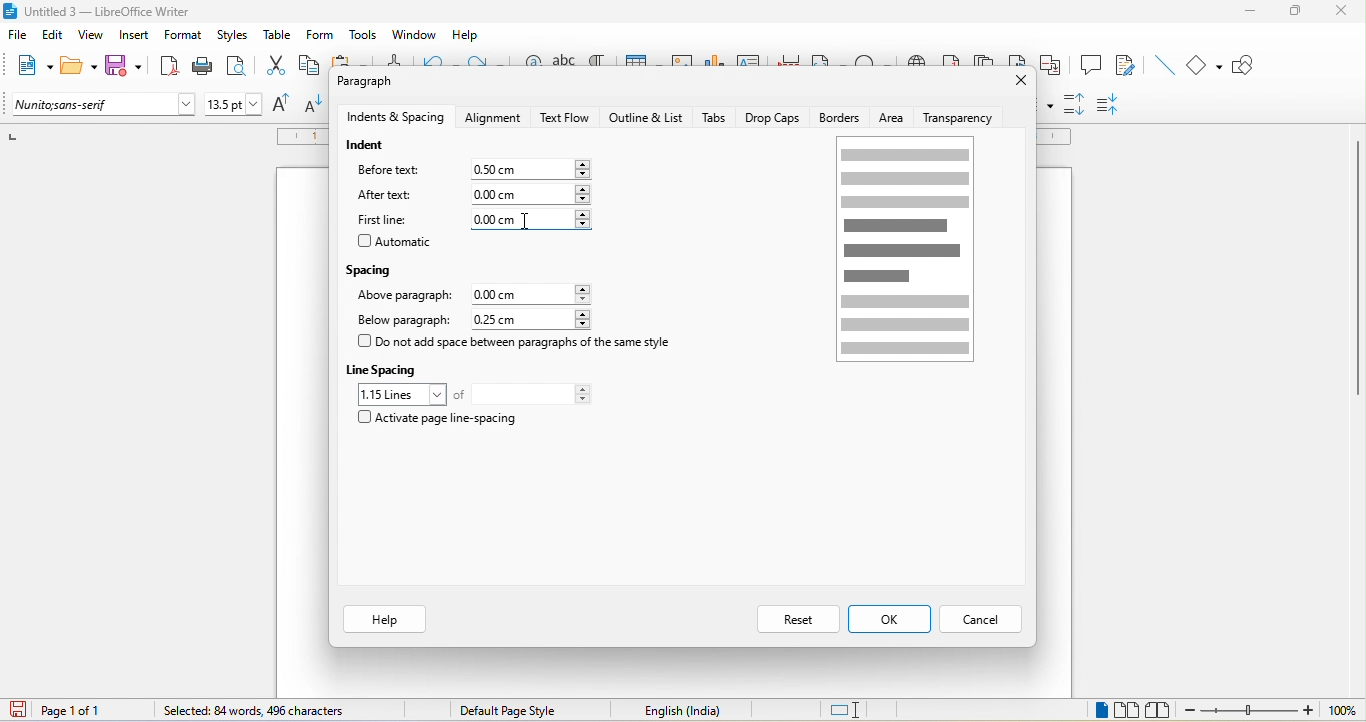  What do you see at coordinates (386, 219) in the screenshot?
I see `first line` at bounding box center [386, 219].